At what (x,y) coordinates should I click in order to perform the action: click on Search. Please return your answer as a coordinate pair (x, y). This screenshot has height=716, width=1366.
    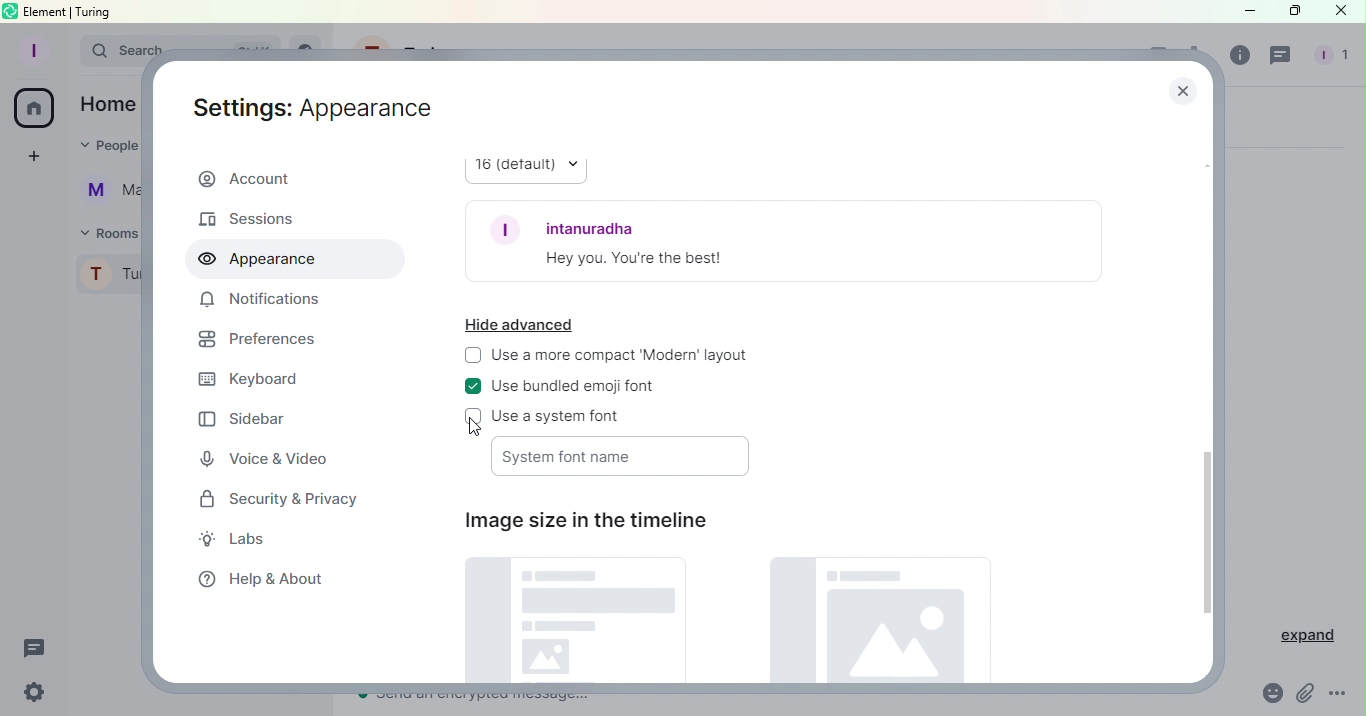
    Looking at the image, I should click on (112, 53).